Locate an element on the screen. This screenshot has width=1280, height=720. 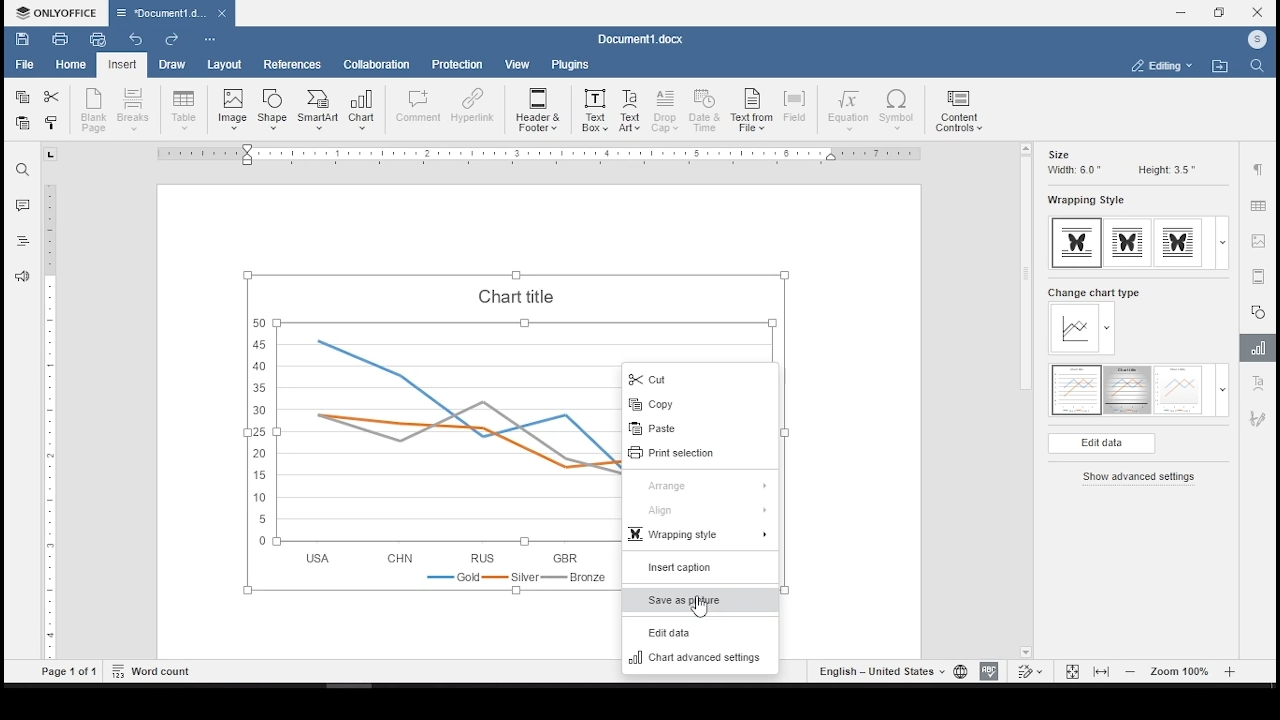
insert is located at coordinates (123, 64).